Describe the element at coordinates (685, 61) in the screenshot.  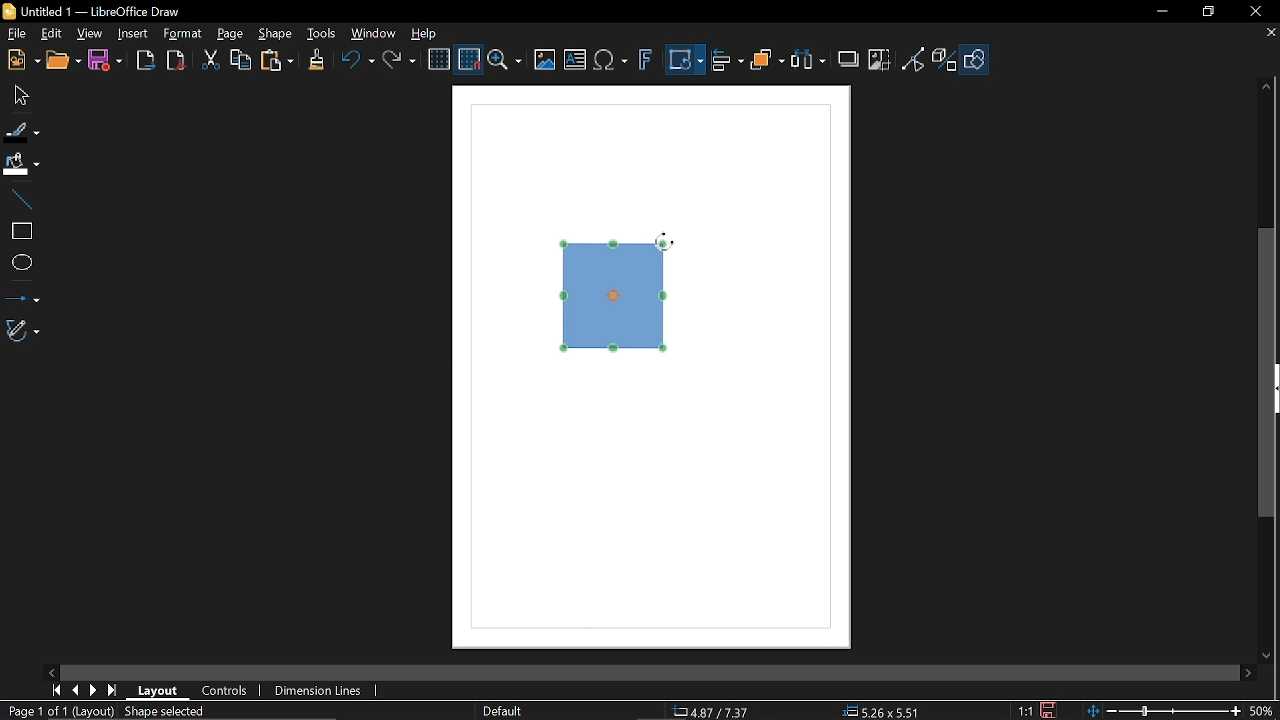
I see `Transformation` at that location.